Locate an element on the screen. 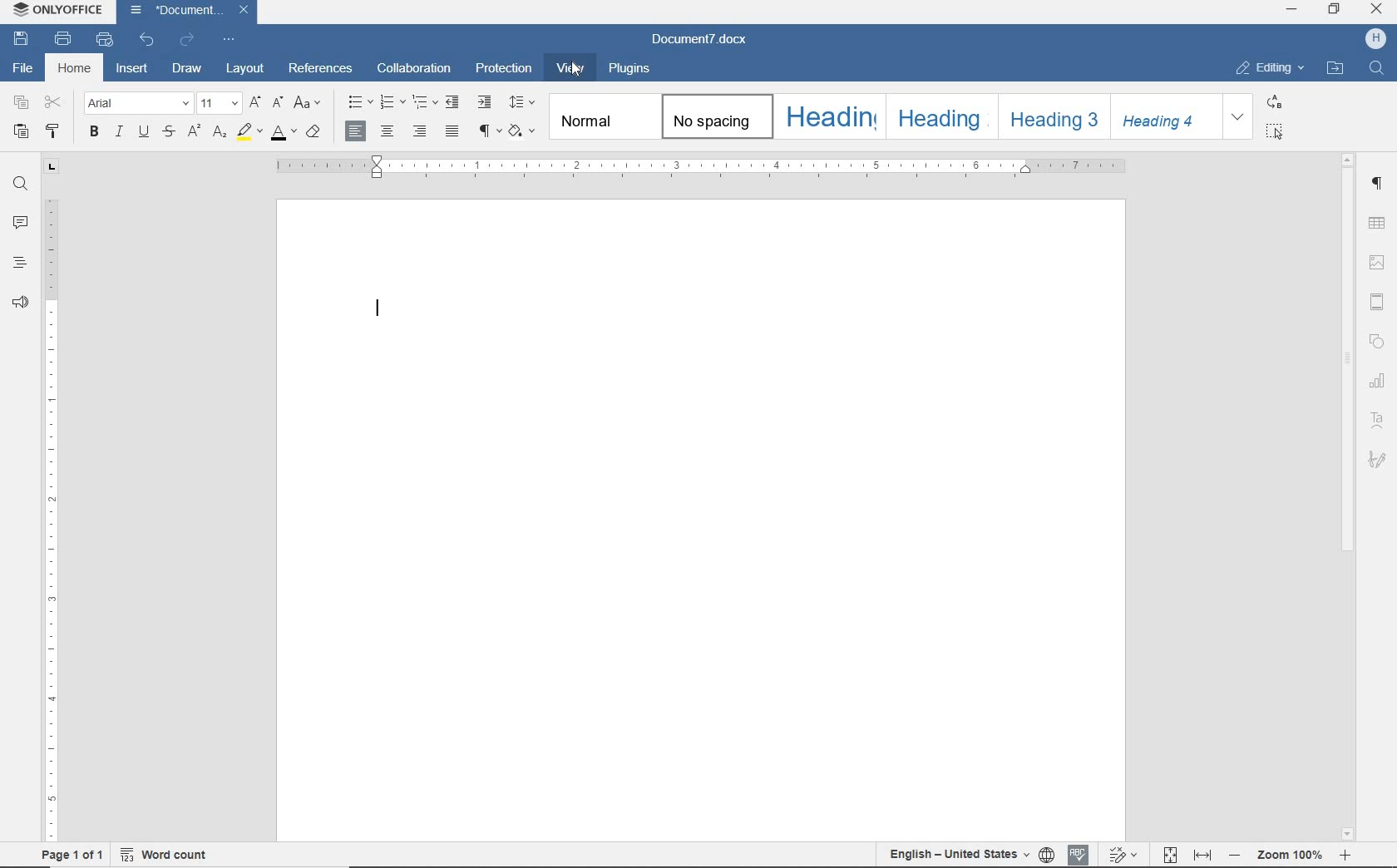 This screenshot has height=868, width=1397. NORMAL is located at coordinates (602, 117).